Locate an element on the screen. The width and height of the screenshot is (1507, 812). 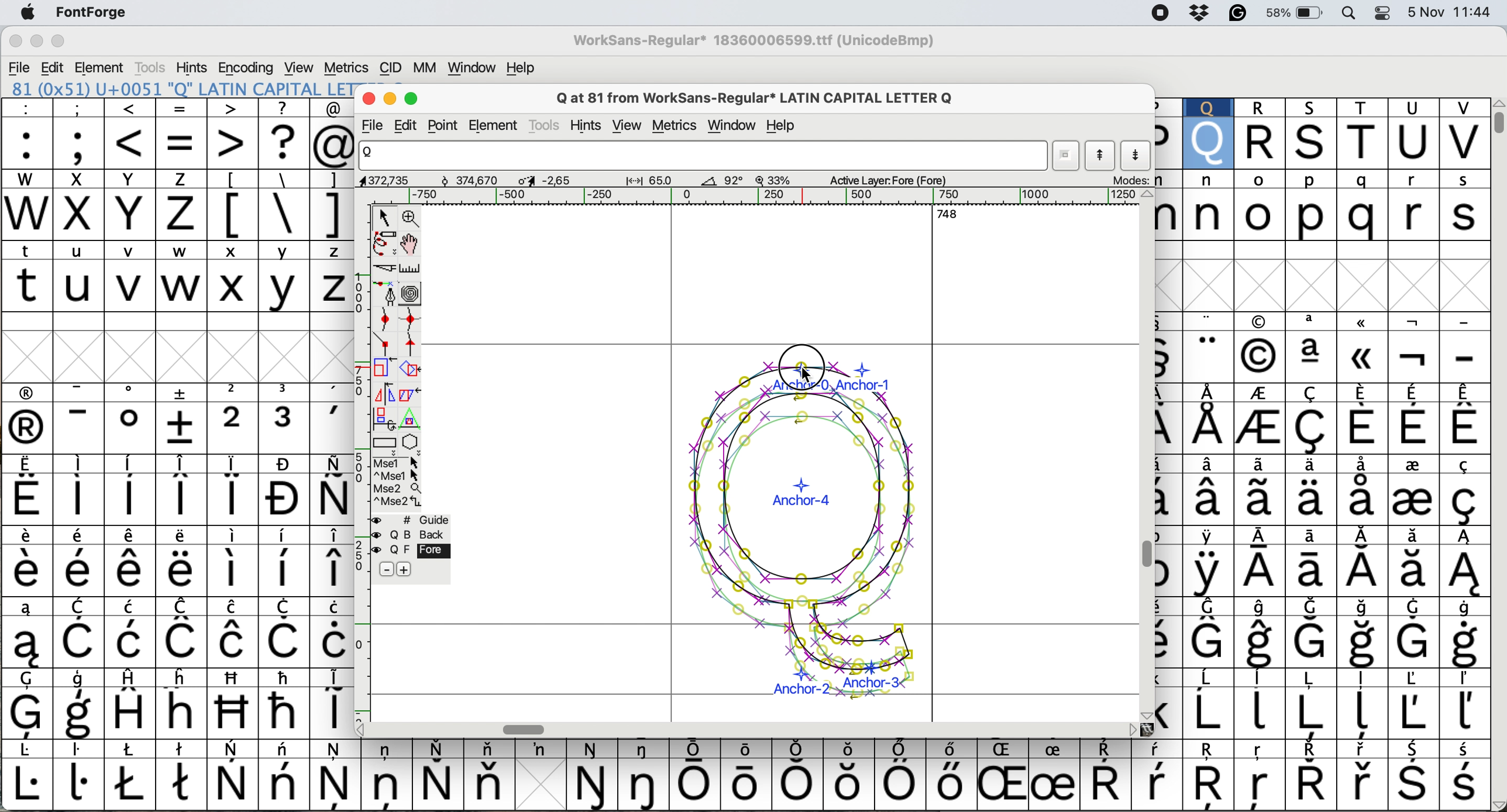
horizontal scroll bar is located at coordinates (718, 197).